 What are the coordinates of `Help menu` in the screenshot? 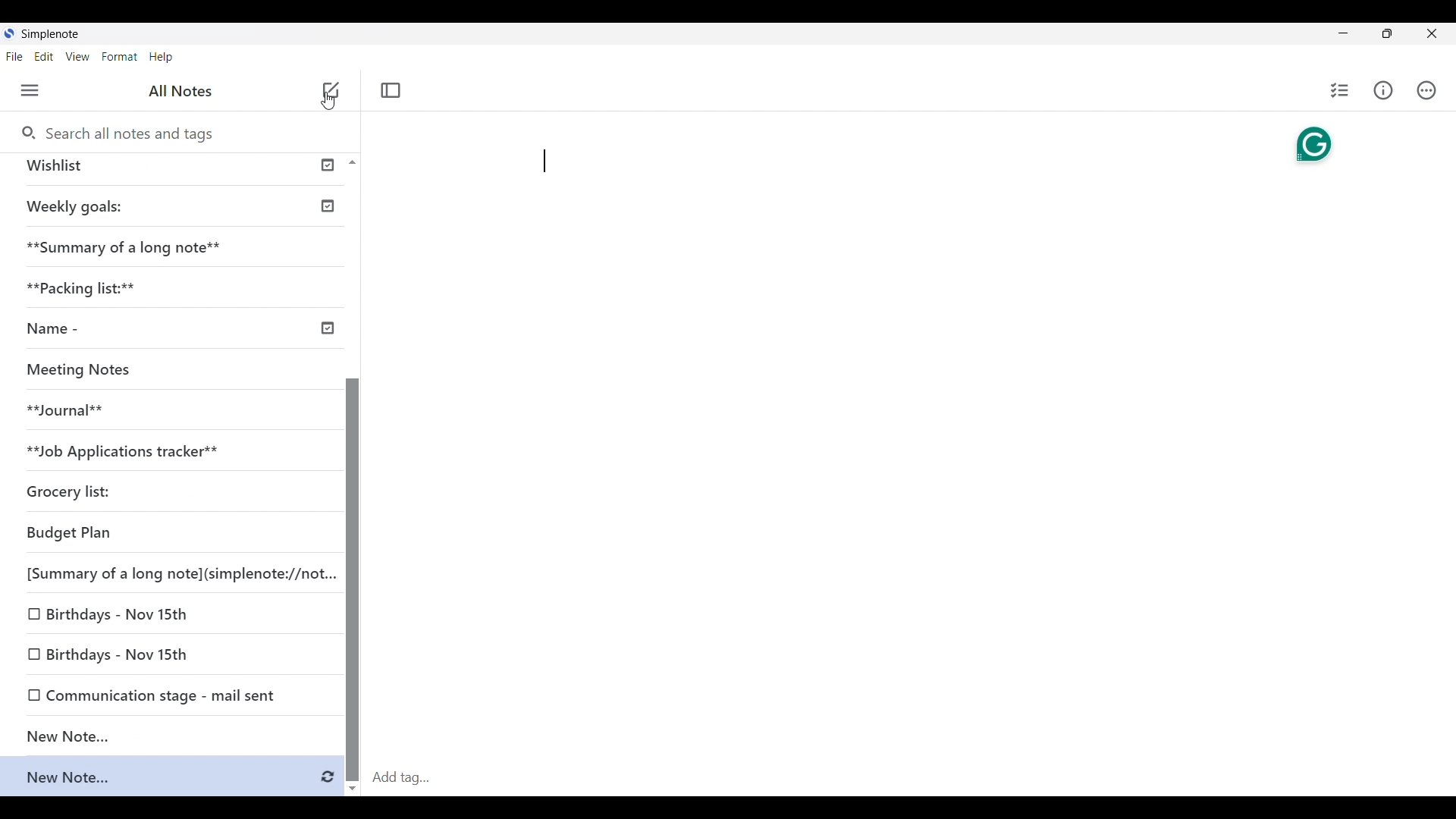 It's located at (161, 57).